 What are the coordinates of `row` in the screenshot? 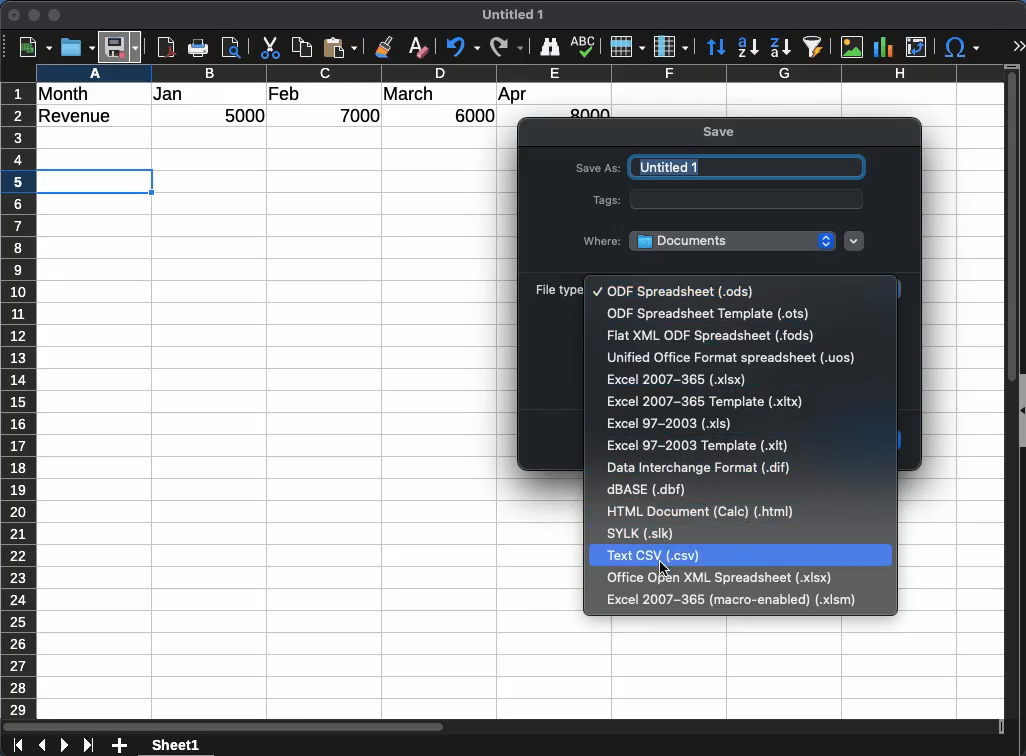 It's located at (17, 400).